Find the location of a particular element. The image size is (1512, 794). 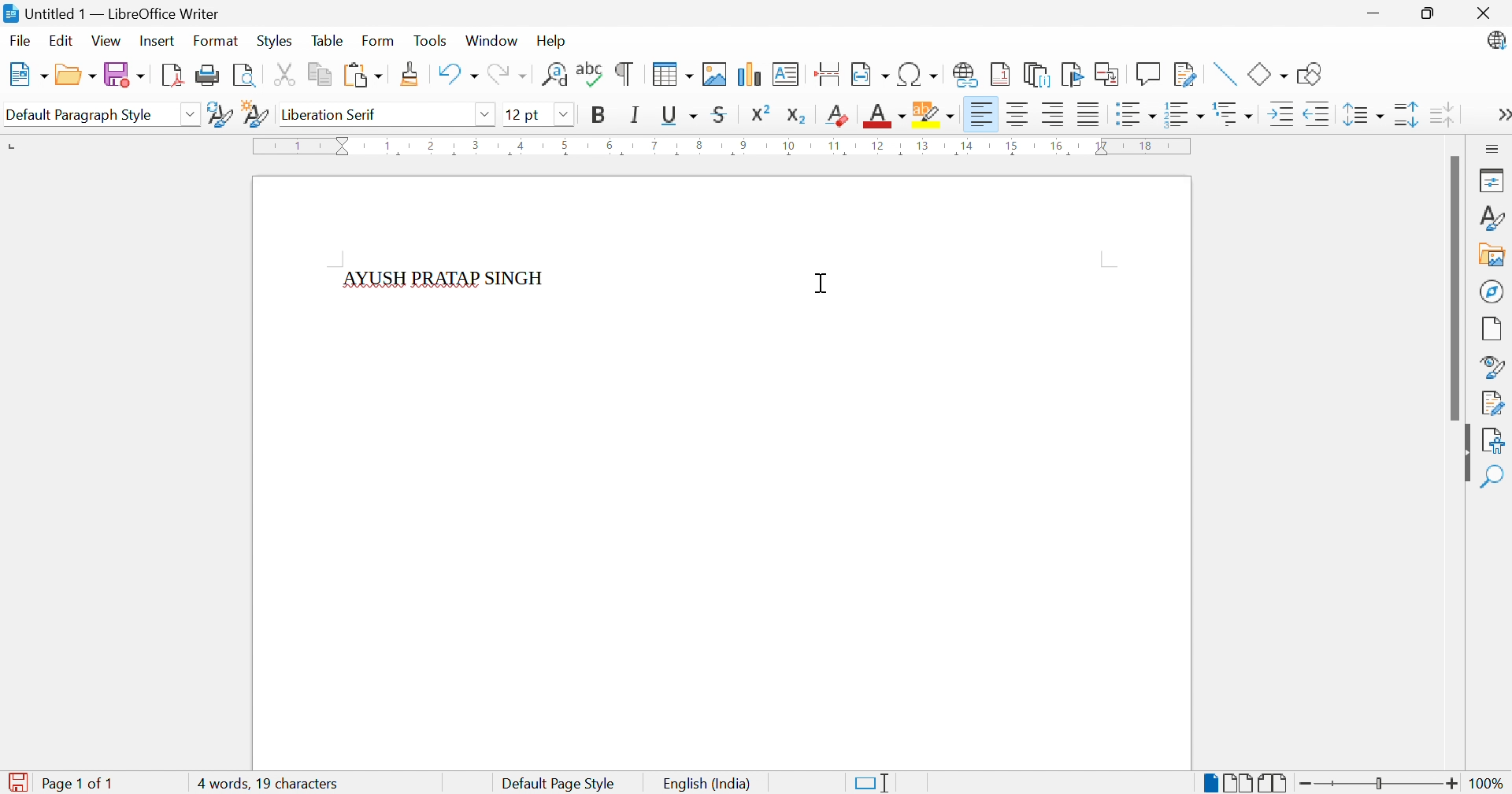

Ruler is located at coordinates (725, 148).